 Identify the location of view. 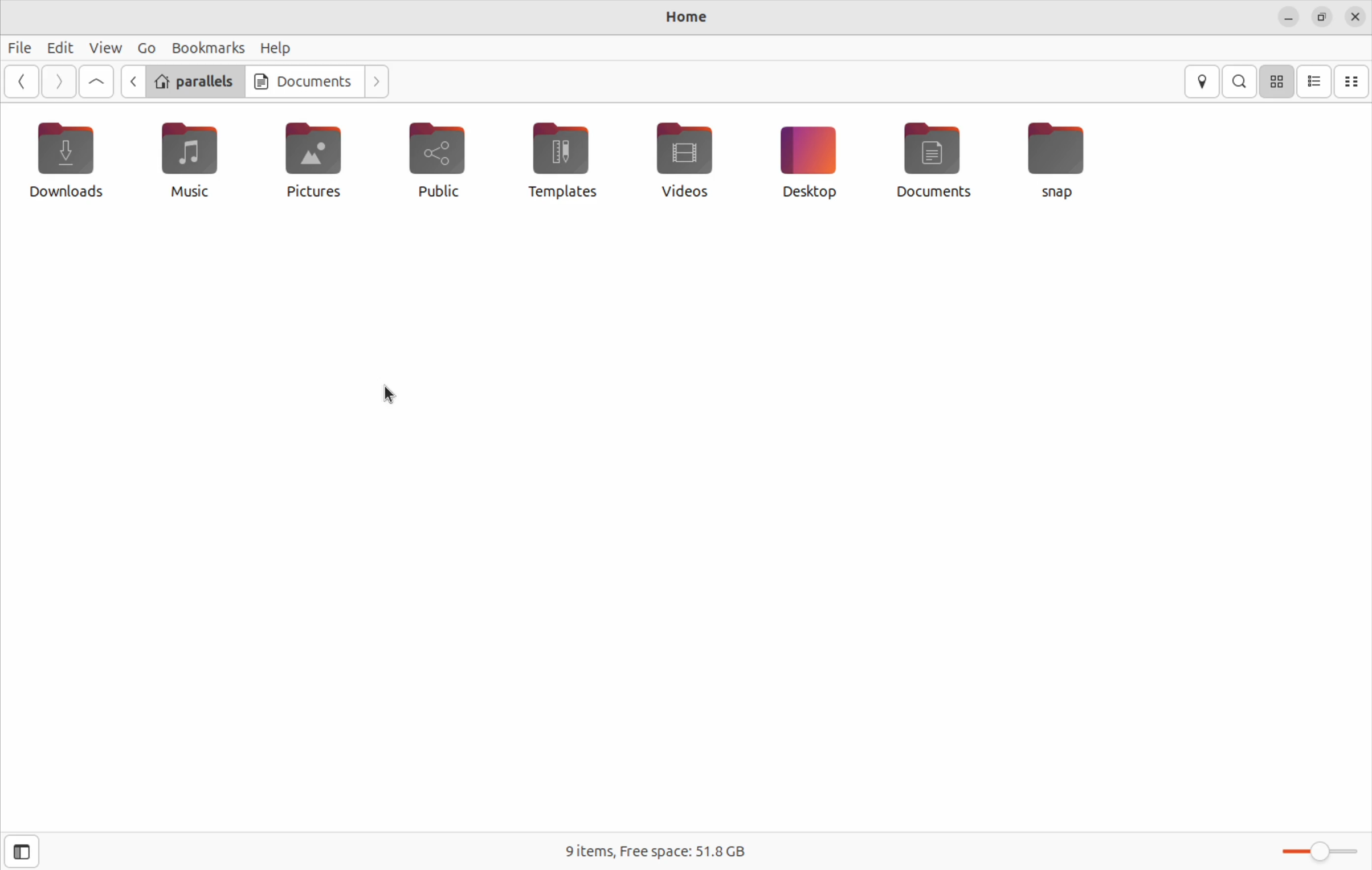
(103, 47).